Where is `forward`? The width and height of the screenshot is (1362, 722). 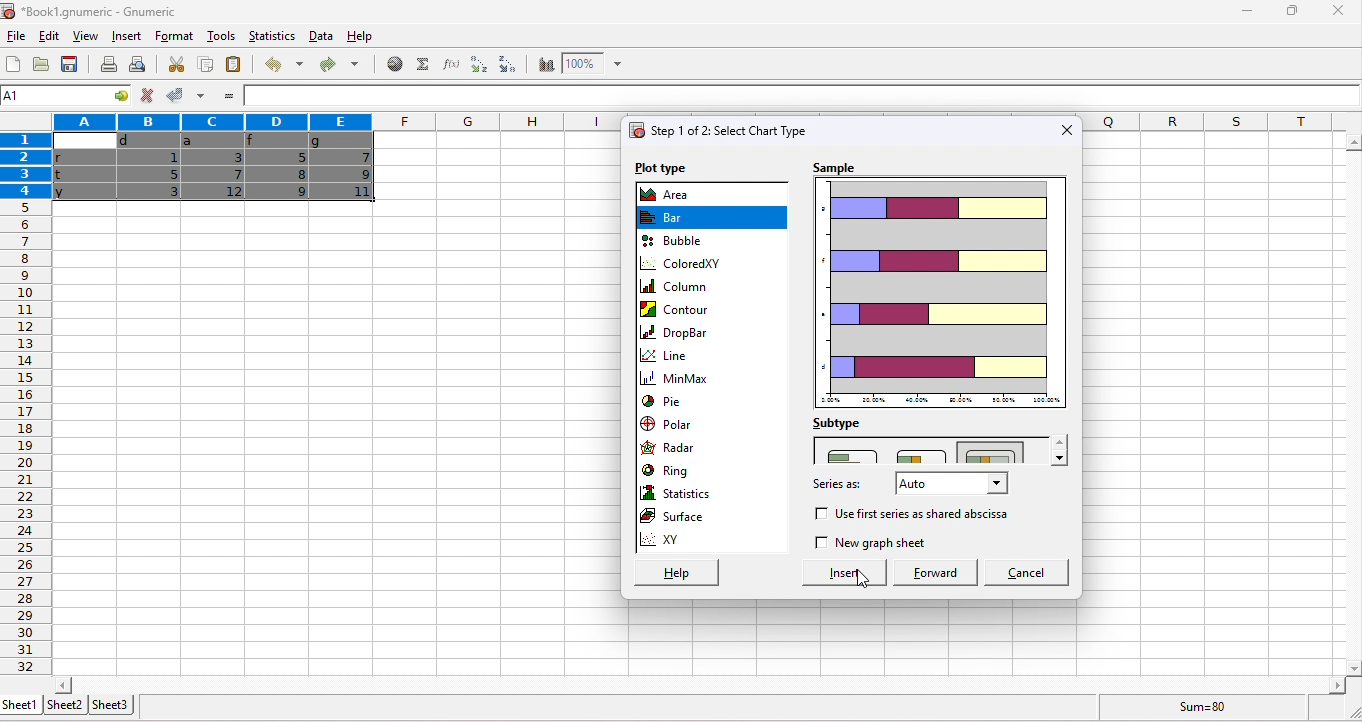
forward is located at coordinates (932, 573).